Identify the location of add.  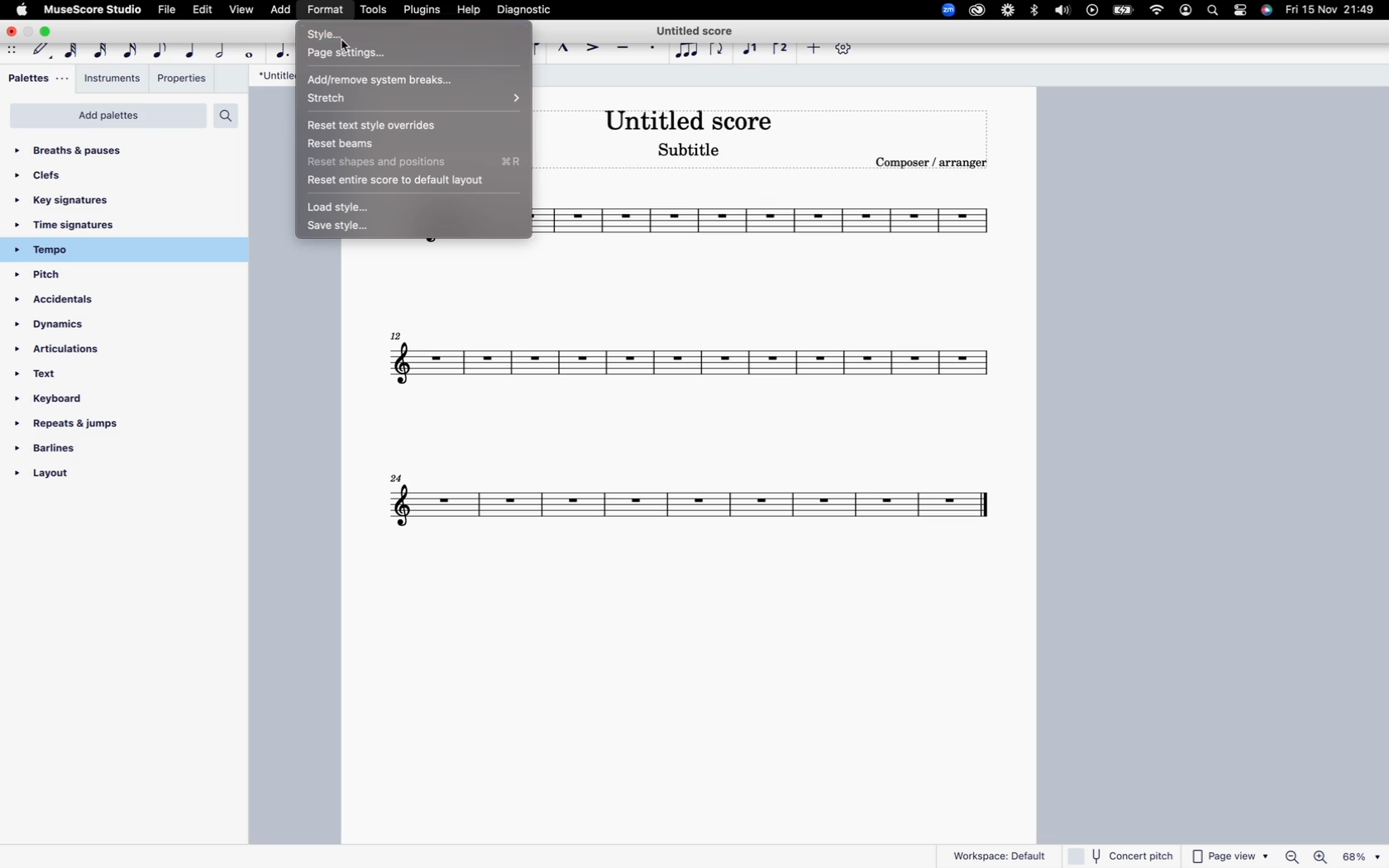
(283, 11).